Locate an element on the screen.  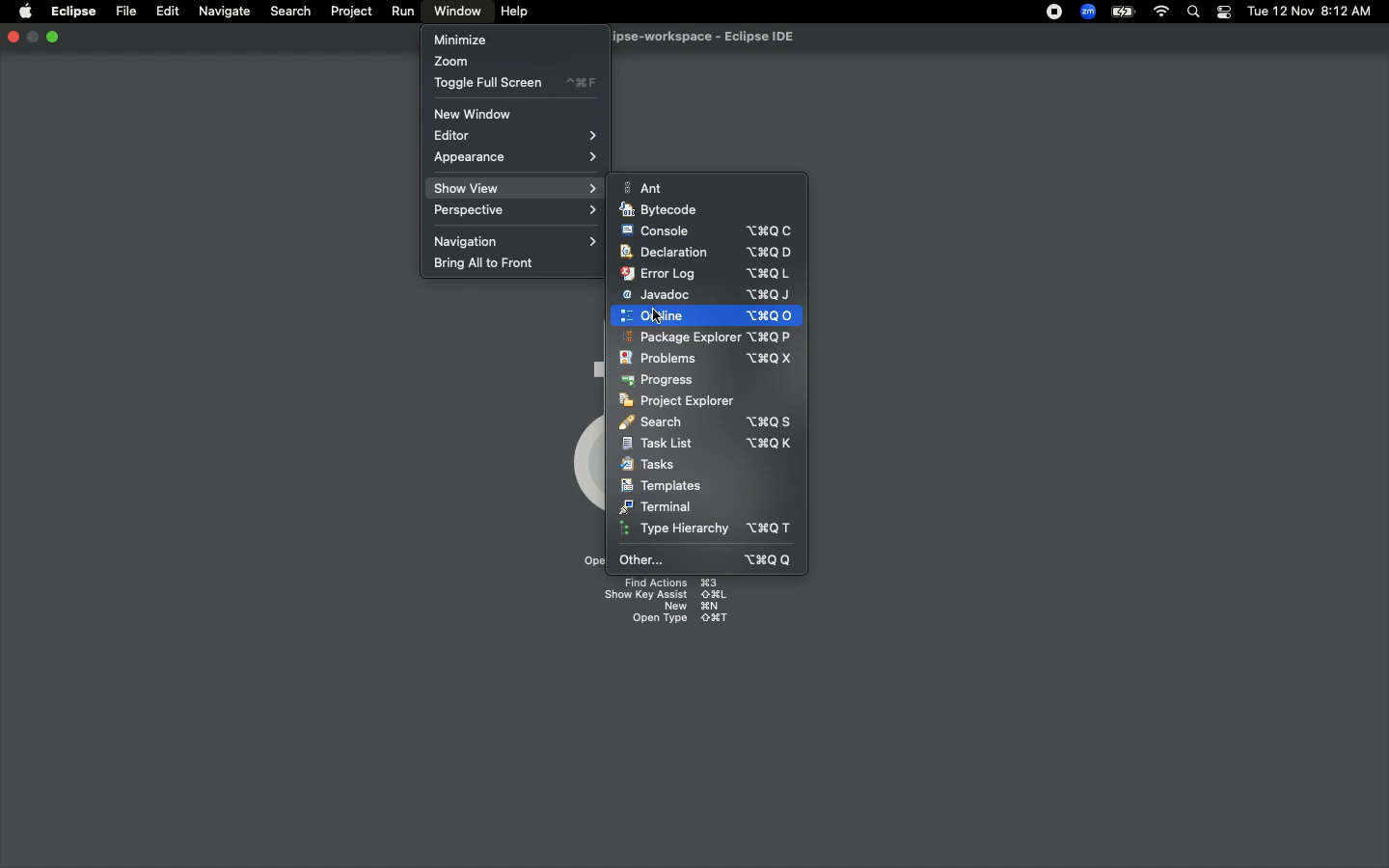
Project is located at coordinates (347, 12).